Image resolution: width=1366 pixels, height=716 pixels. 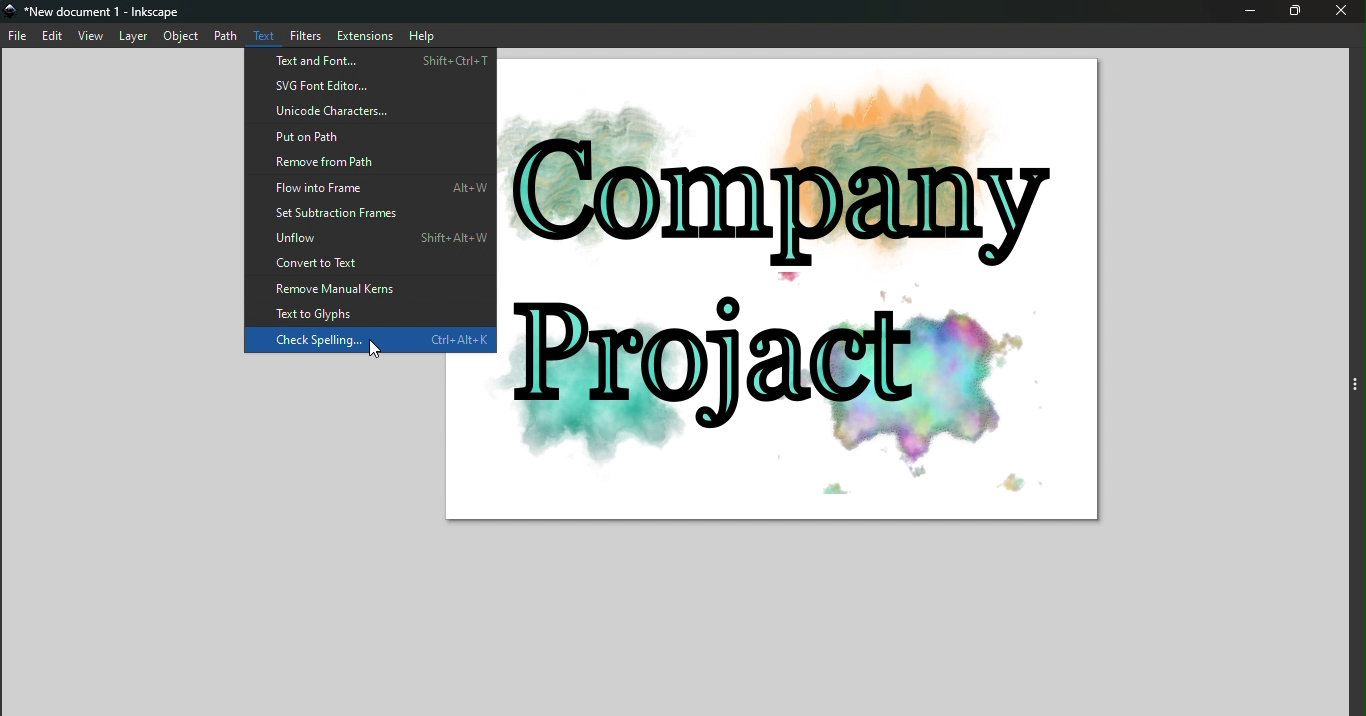 I want to click on Remove manual kerns, so click(x=371, y=290).